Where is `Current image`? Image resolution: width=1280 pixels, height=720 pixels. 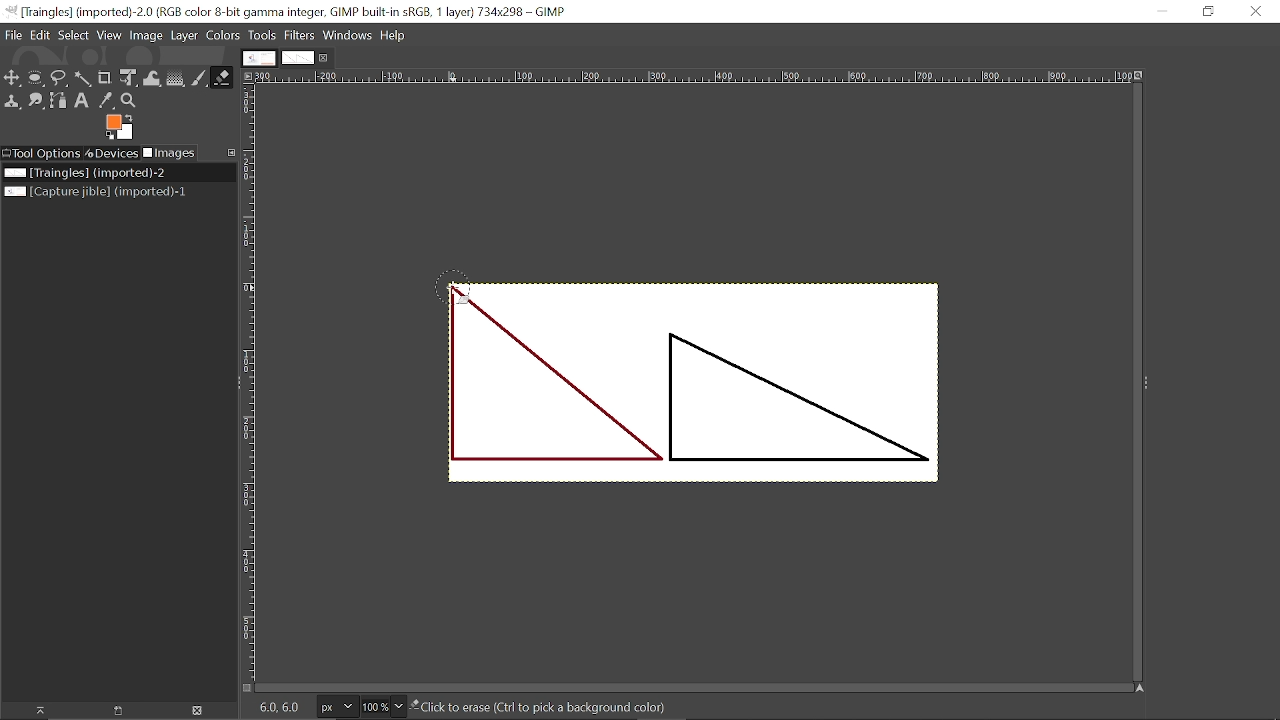
Current image is located at coordinates (702, 406).